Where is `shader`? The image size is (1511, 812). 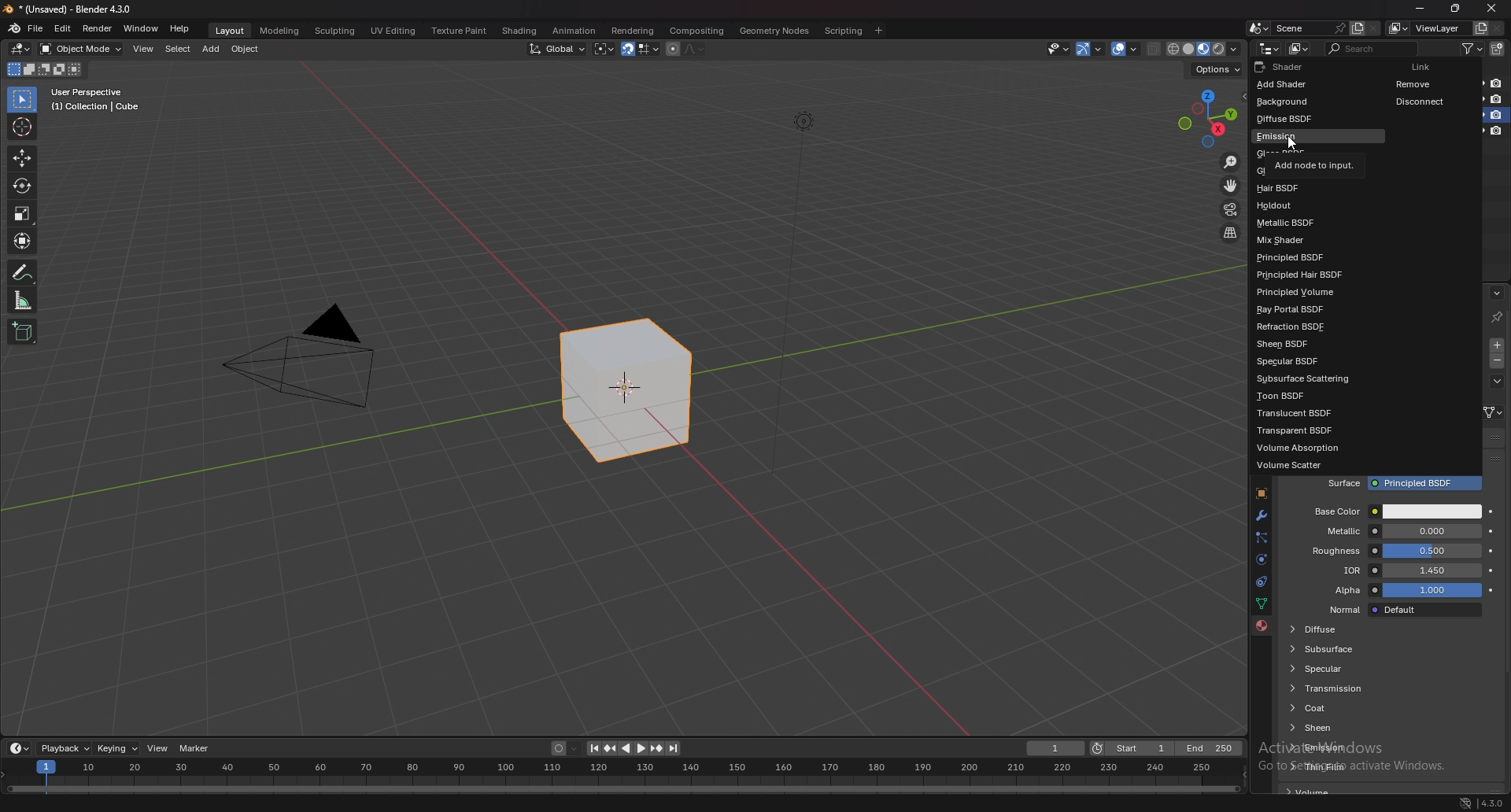 shader is located at coordinates (1291, 66).